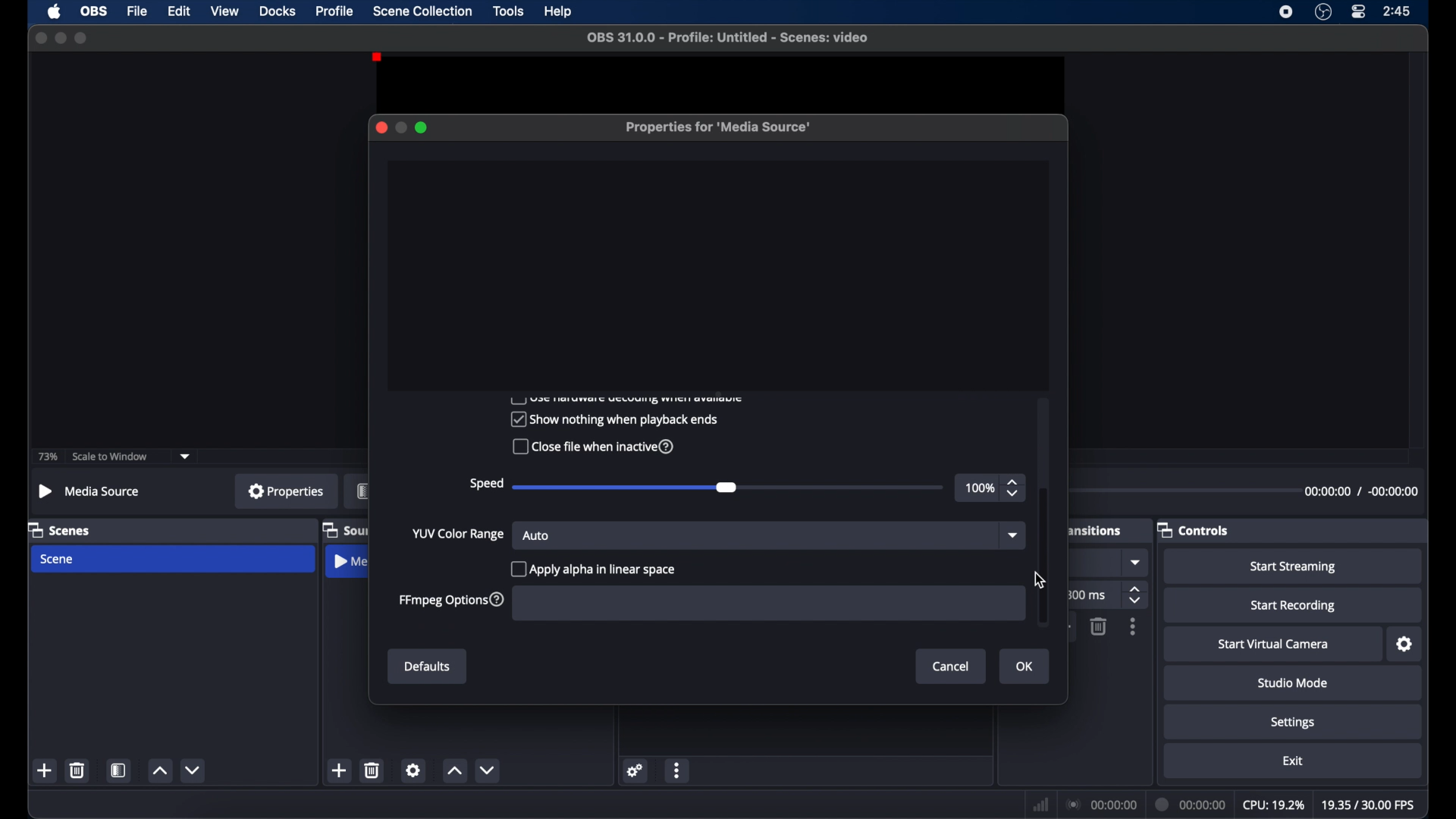 This screenshot has width=1456, height=819. I want to click on media source, so click(88, 491).